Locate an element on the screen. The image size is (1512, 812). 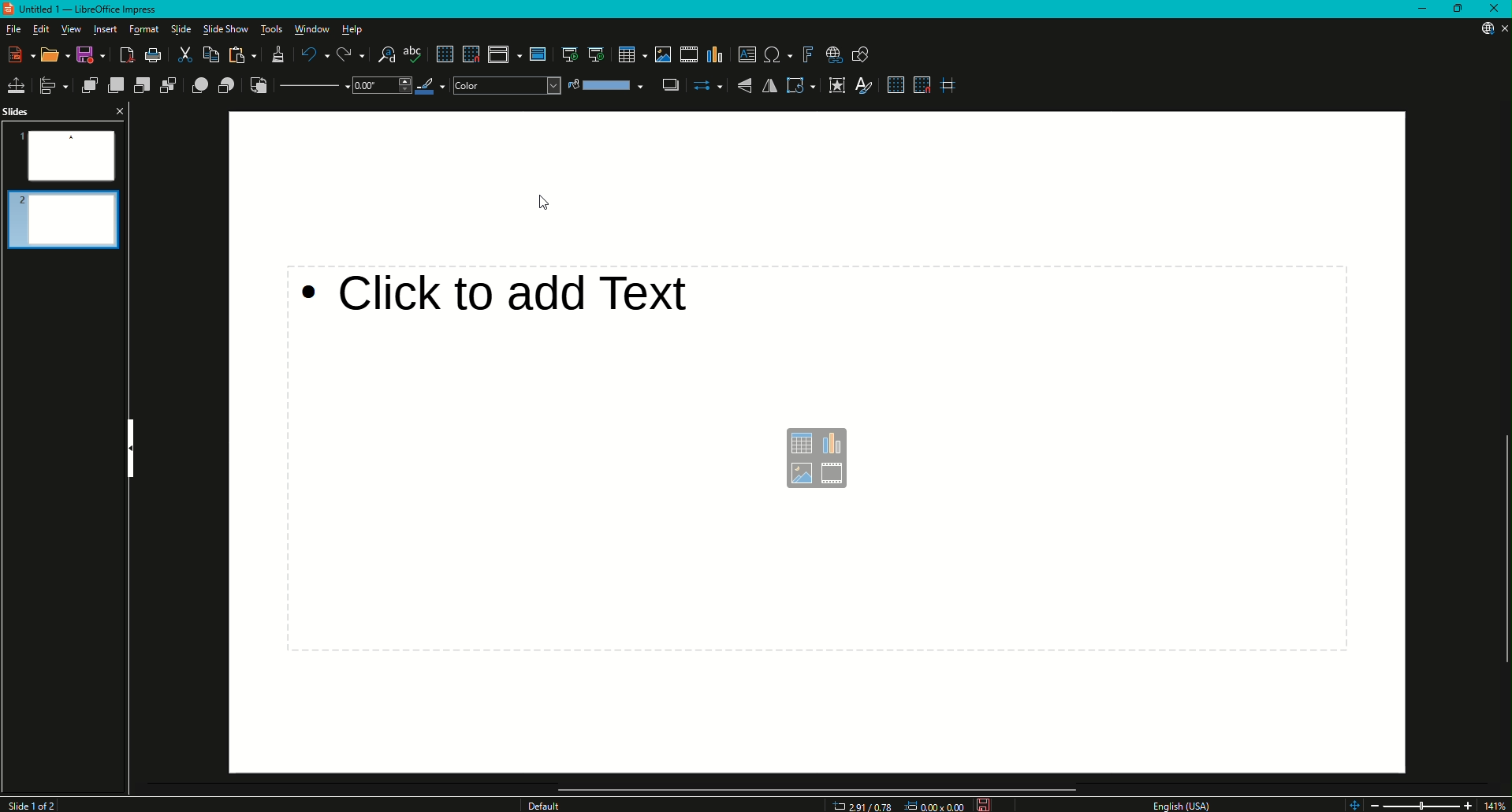
Interaction is located at coordinates (837, 86).